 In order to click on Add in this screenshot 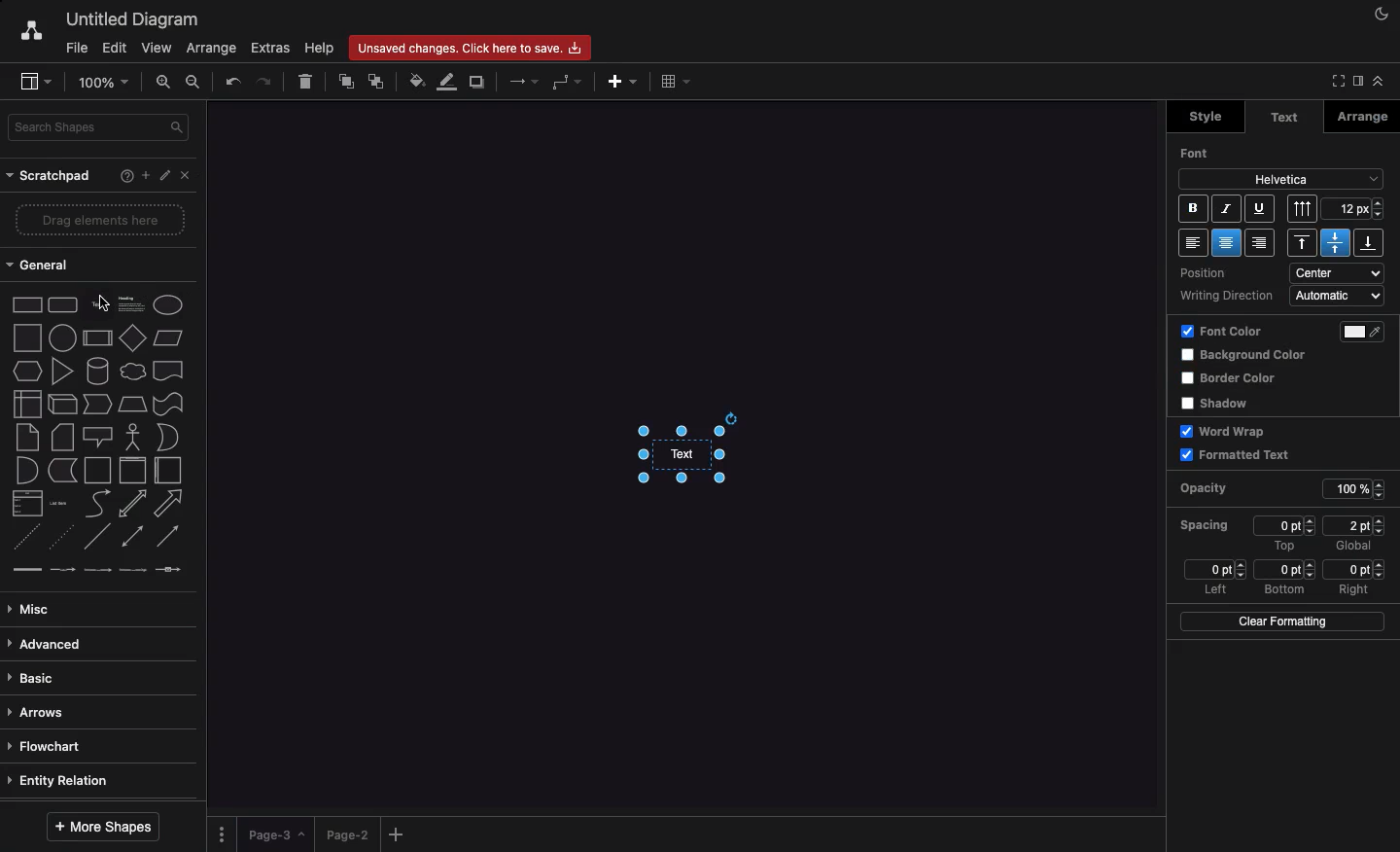, I will do `click(400, 834)`.